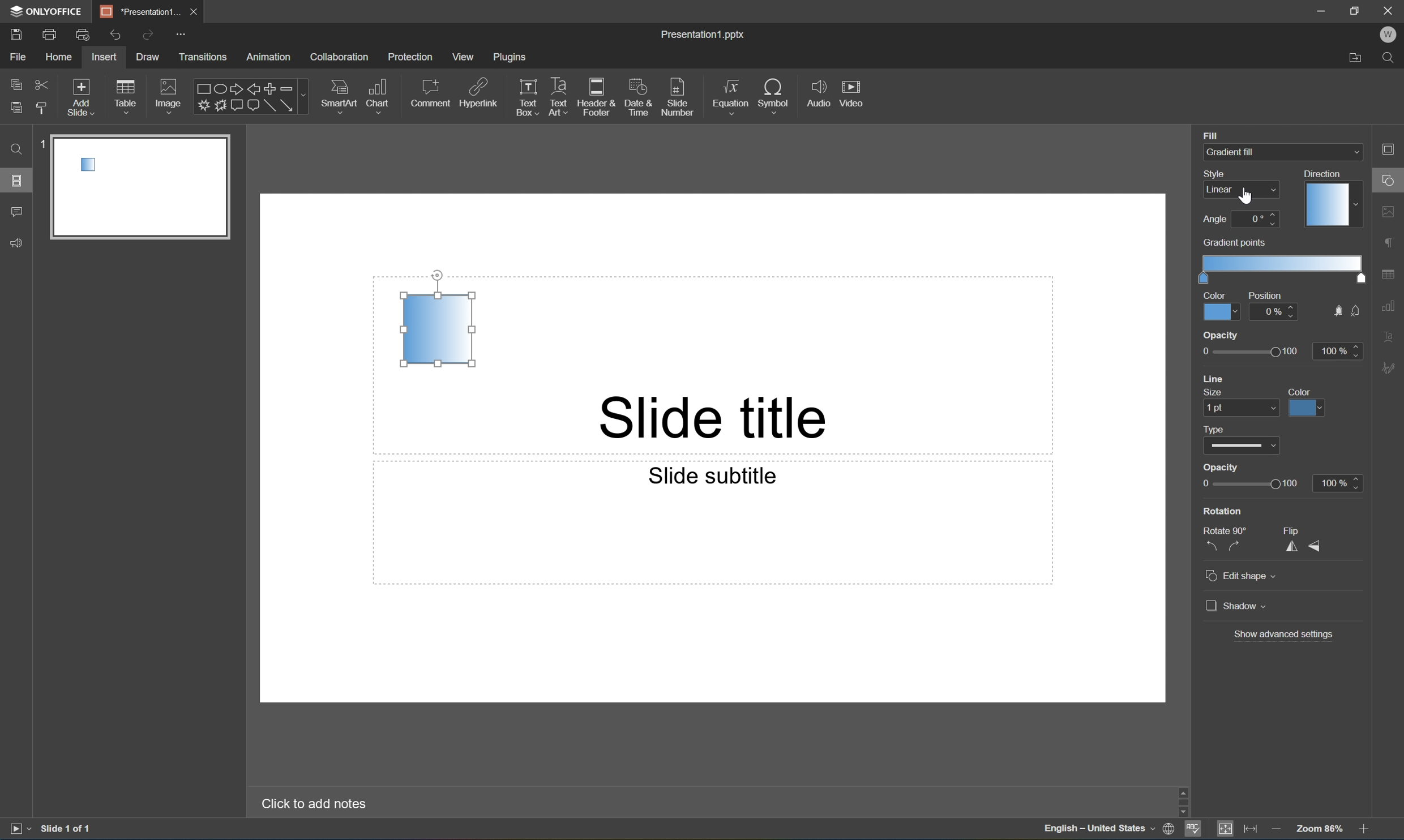 The height and width of the screenshot is (840, 1404). Describe the element at coordinates (219, 90) in the screenshot. I see `Ellipse` at that location.